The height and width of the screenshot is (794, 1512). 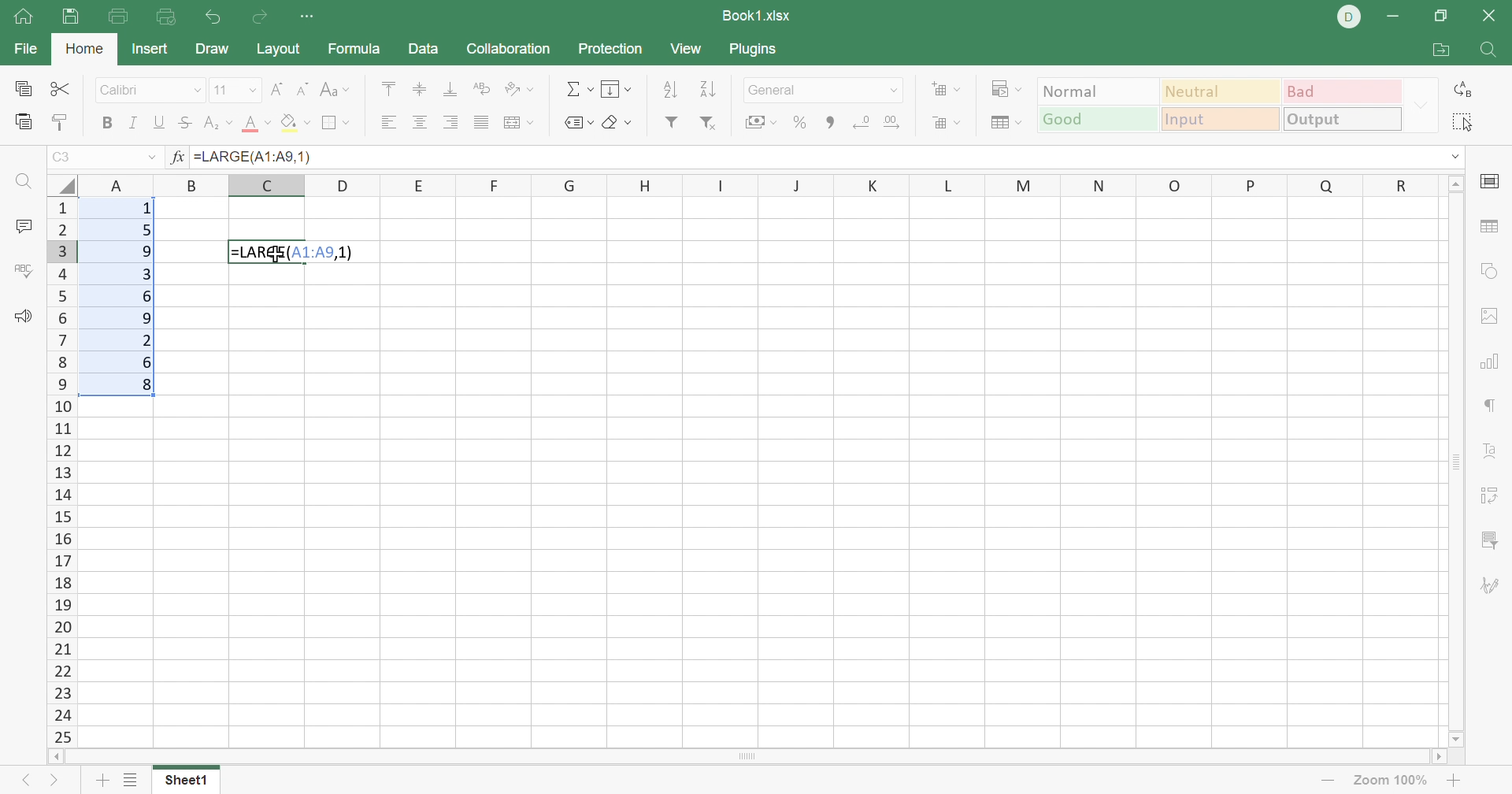 I want to click on Book1.xlsx, so click(x=757, y=13).